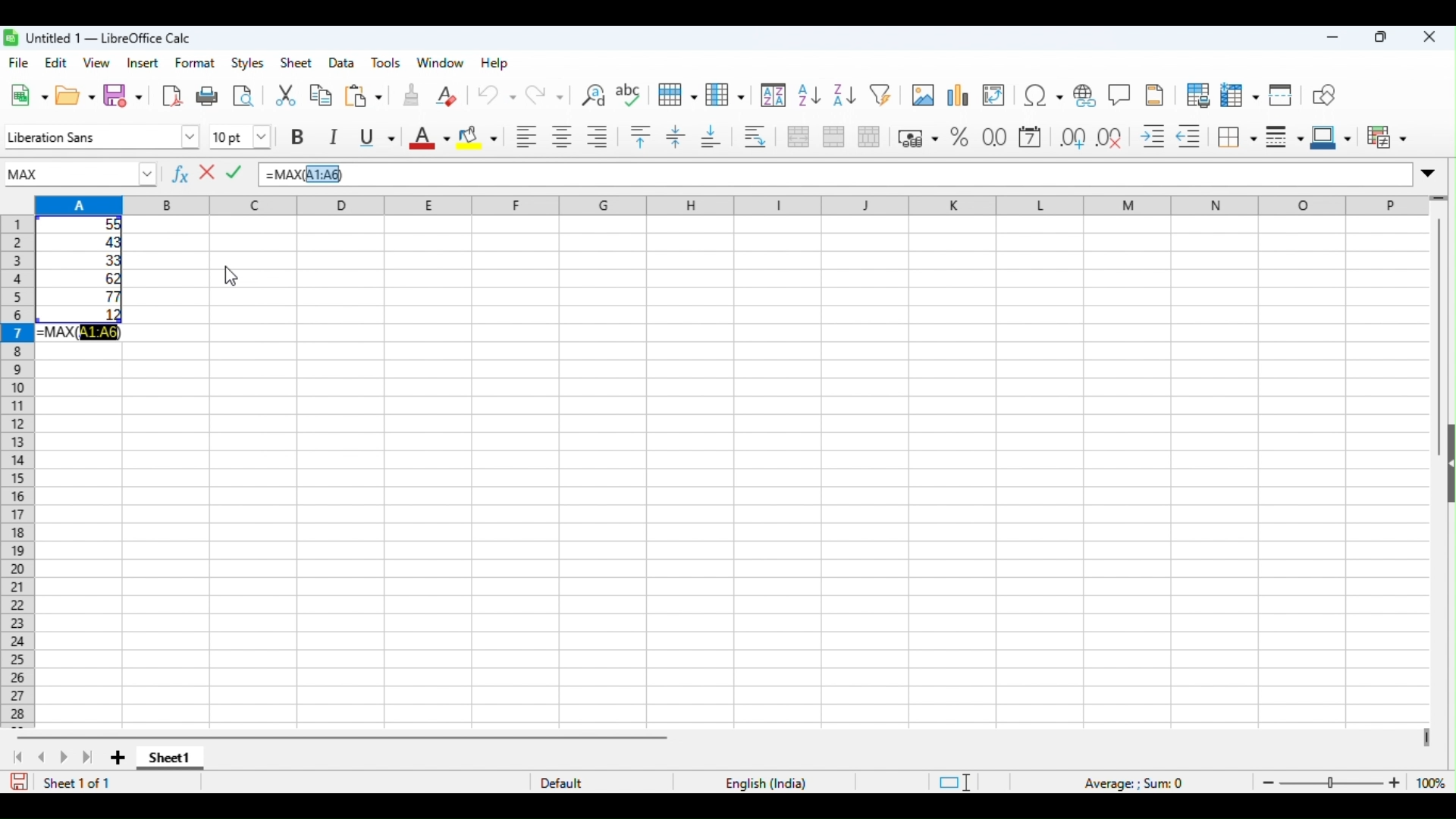 The height and width of the screenshot is (819, 1456). I want to click on view, so click(96, 63).